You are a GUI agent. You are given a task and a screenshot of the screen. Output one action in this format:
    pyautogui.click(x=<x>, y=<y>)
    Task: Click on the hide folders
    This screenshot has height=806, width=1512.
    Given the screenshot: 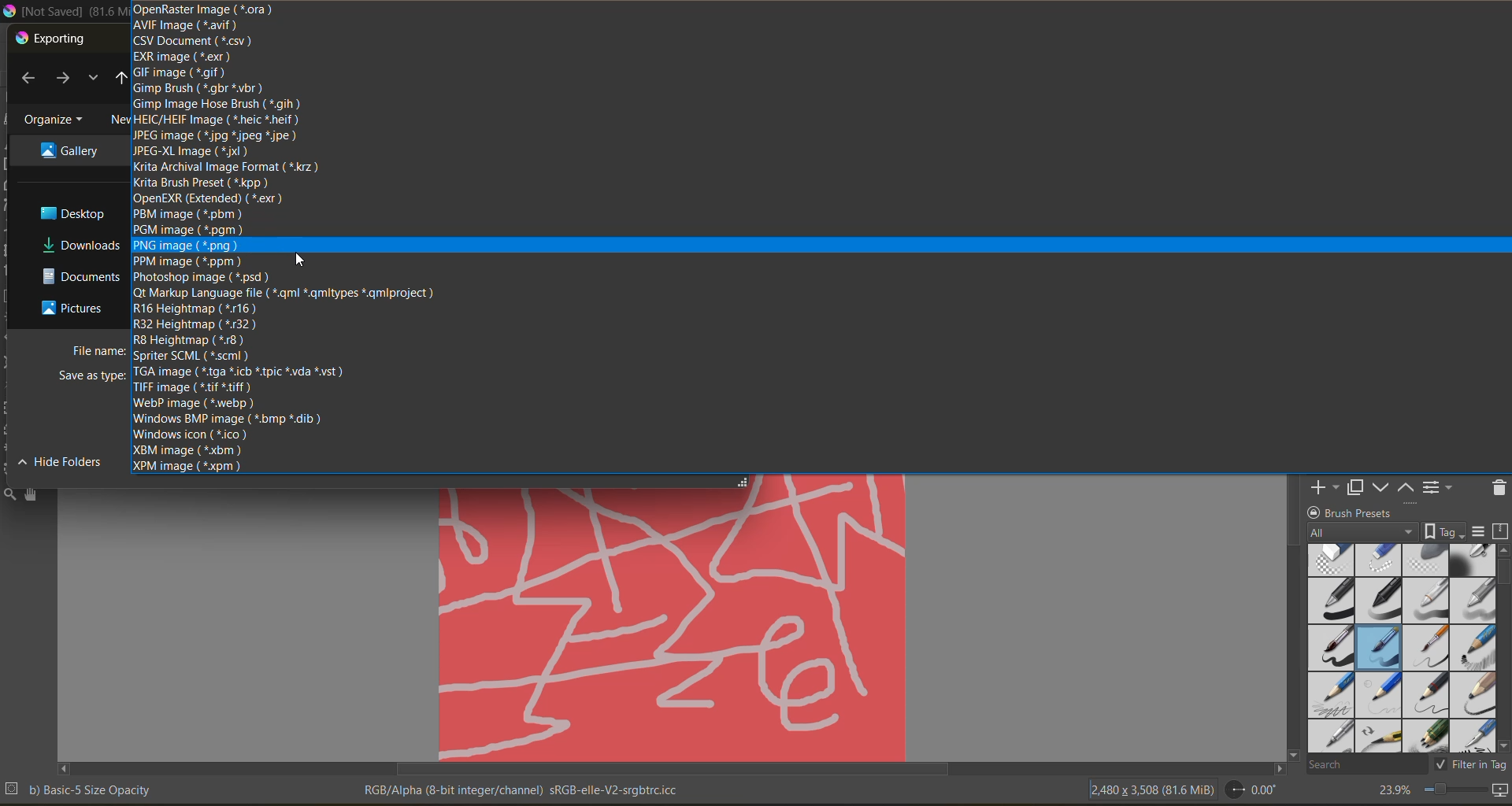 What is the action you would take?
    pyautogui.click(x=65, y=460)
    